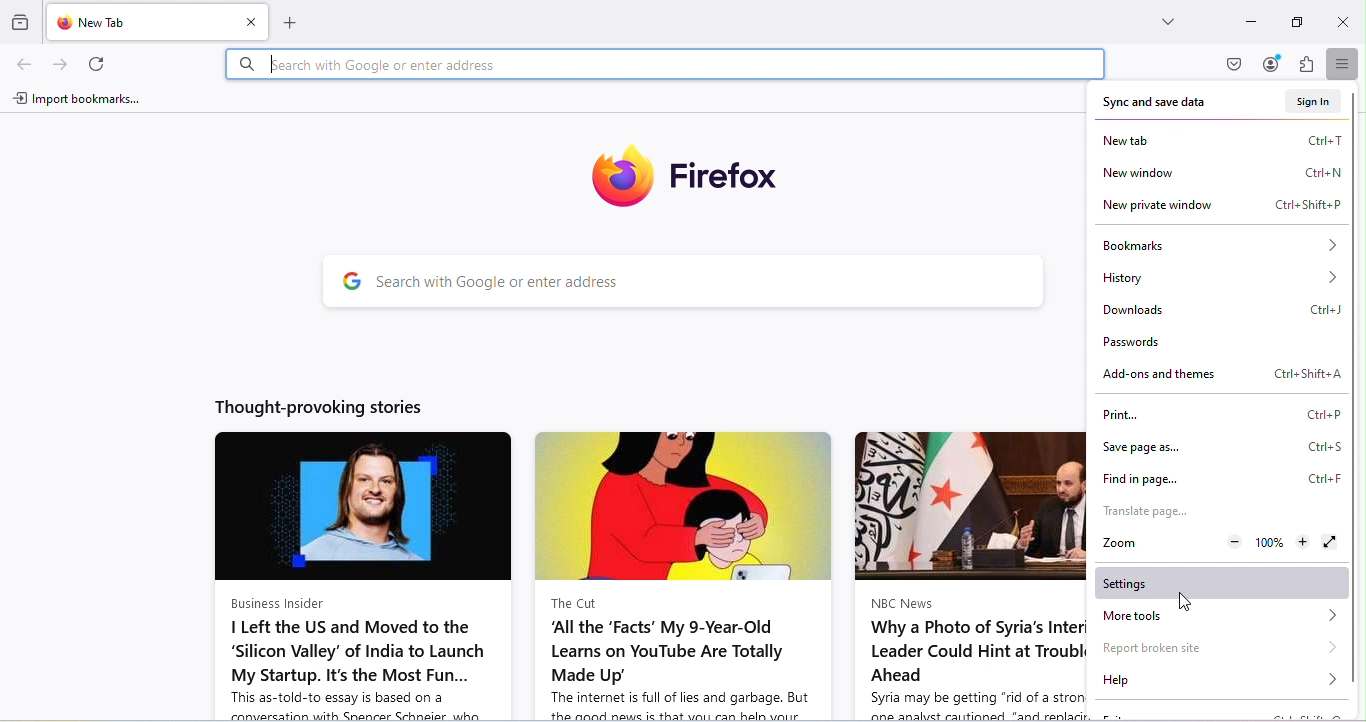  Describe the element at coordinates (1357, 187) in the screenshot. I see `Scroll bar` at that location.